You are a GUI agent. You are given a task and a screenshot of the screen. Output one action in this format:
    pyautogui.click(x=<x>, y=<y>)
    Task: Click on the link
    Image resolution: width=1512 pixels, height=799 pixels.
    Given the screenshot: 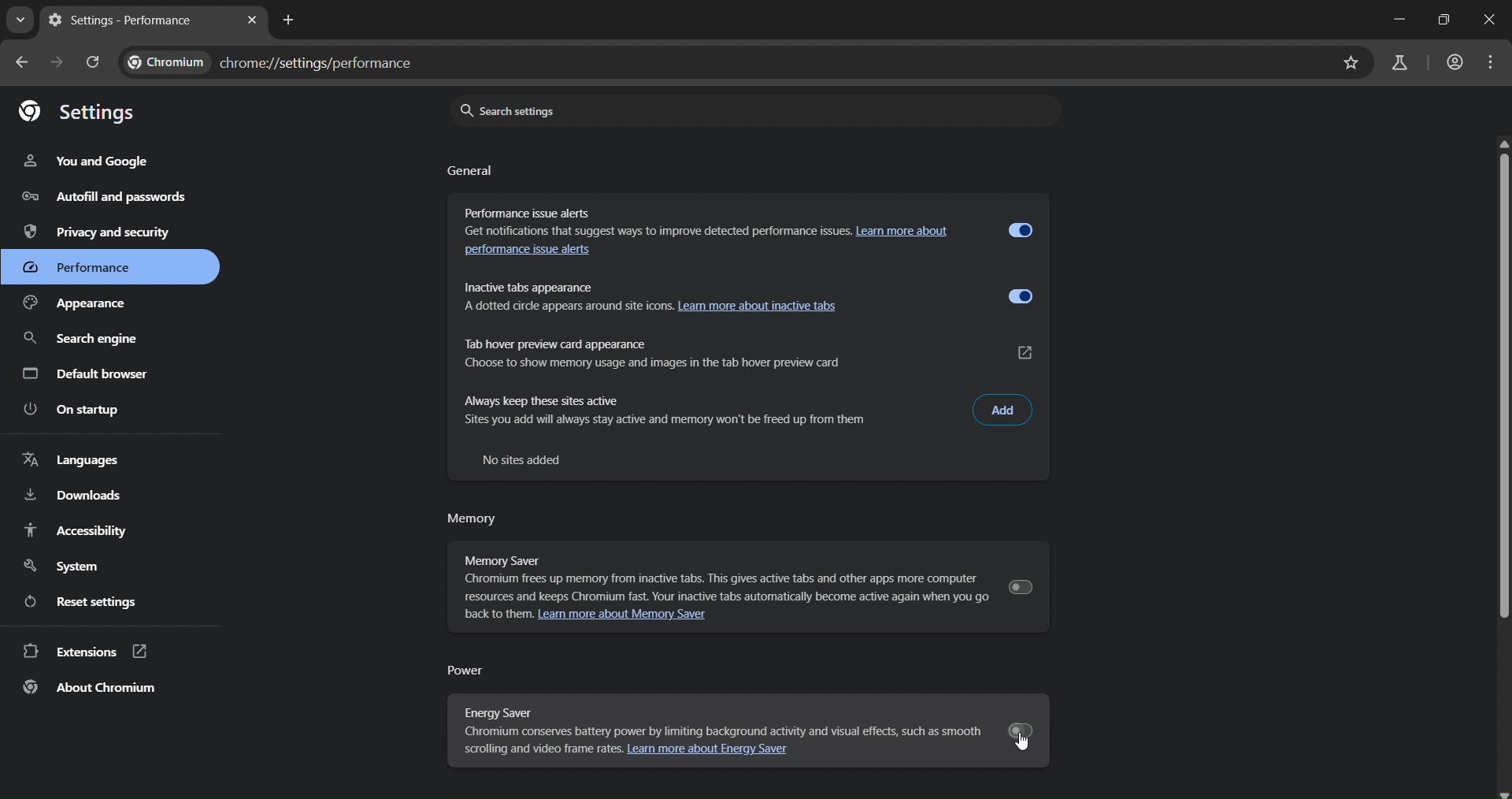 What is the action you would take?
    pyautogui.click(x=1027, y=352)
    